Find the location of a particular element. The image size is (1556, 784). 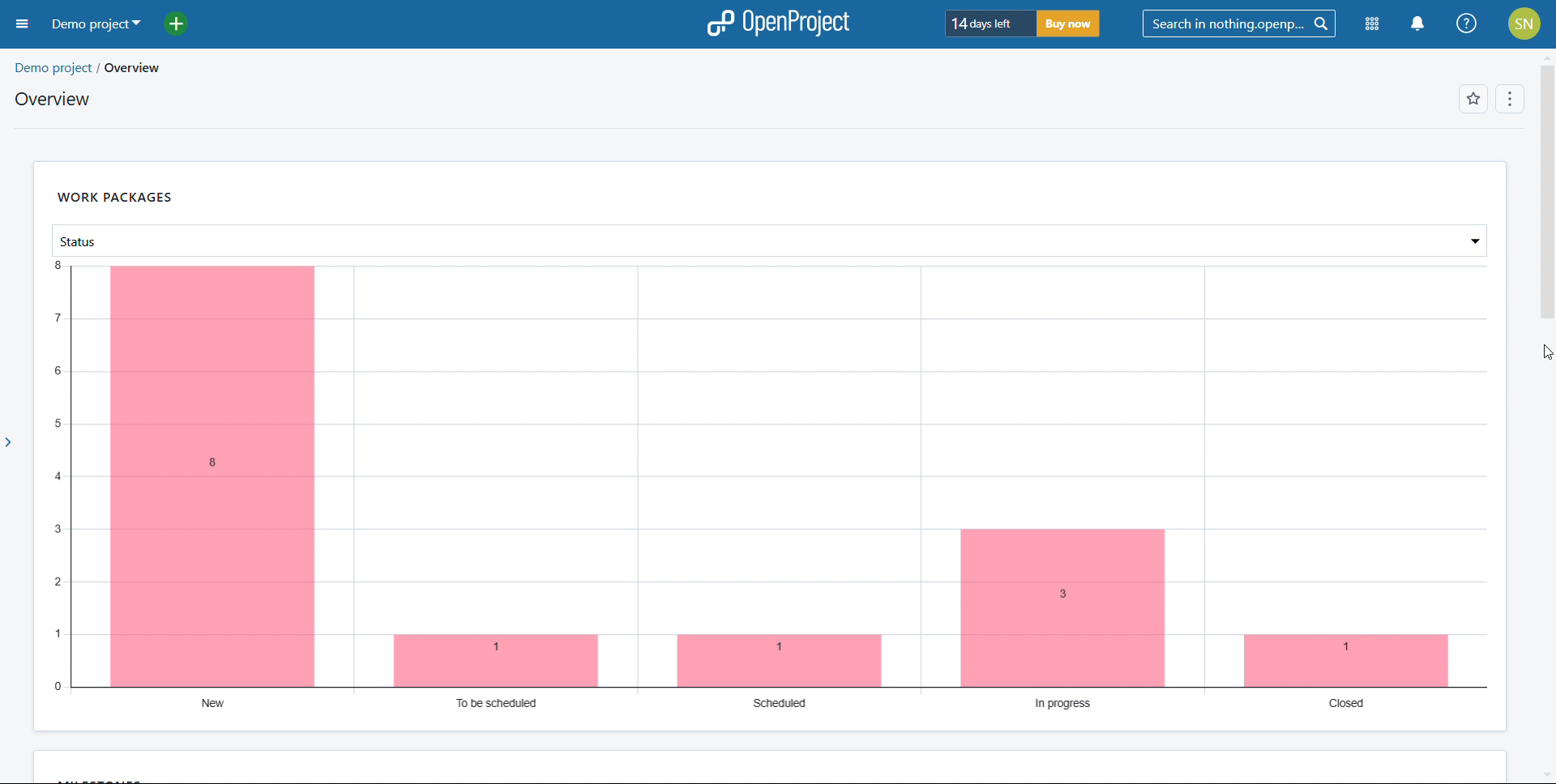

buy now is located at coordinates (1069, 24).